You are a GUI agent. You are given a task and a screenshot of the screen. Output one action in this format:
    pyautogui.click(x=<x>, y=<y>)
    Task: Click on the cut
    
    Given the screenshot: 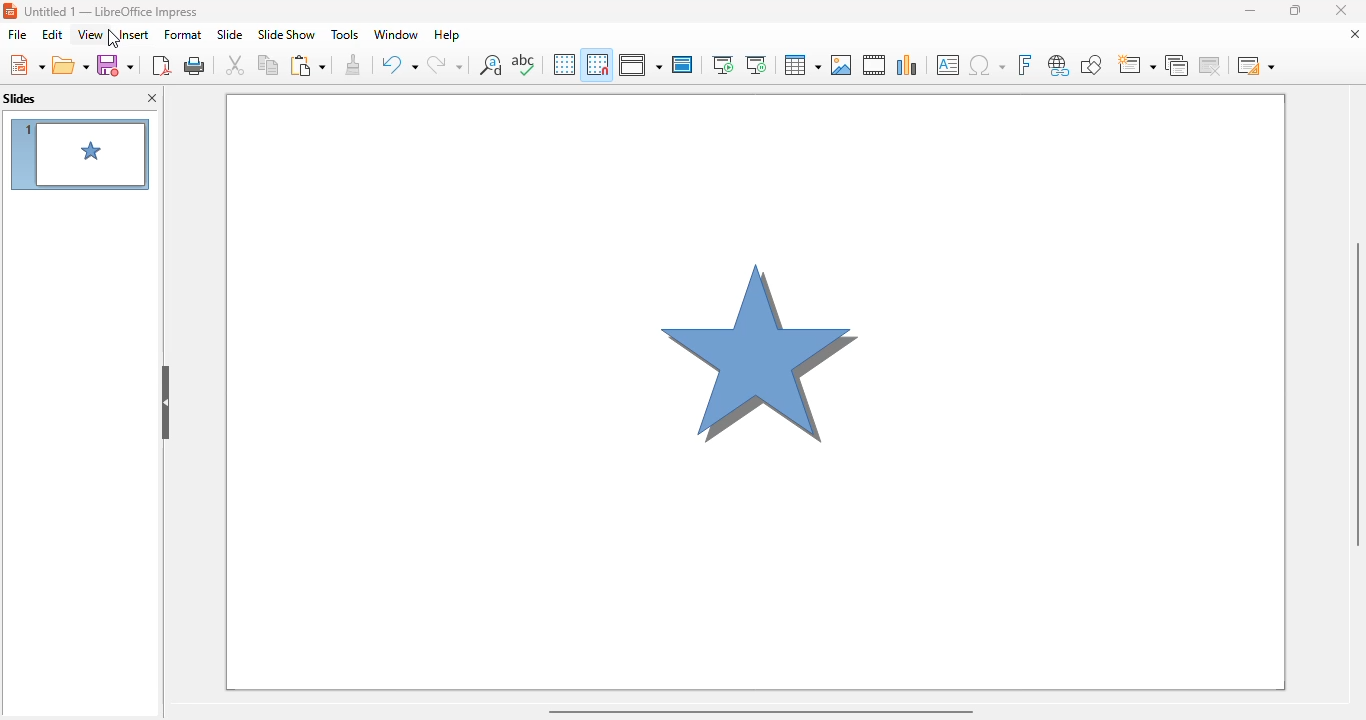 What is the action you would take?
    pyautogui.click(x=235, y=64)
    